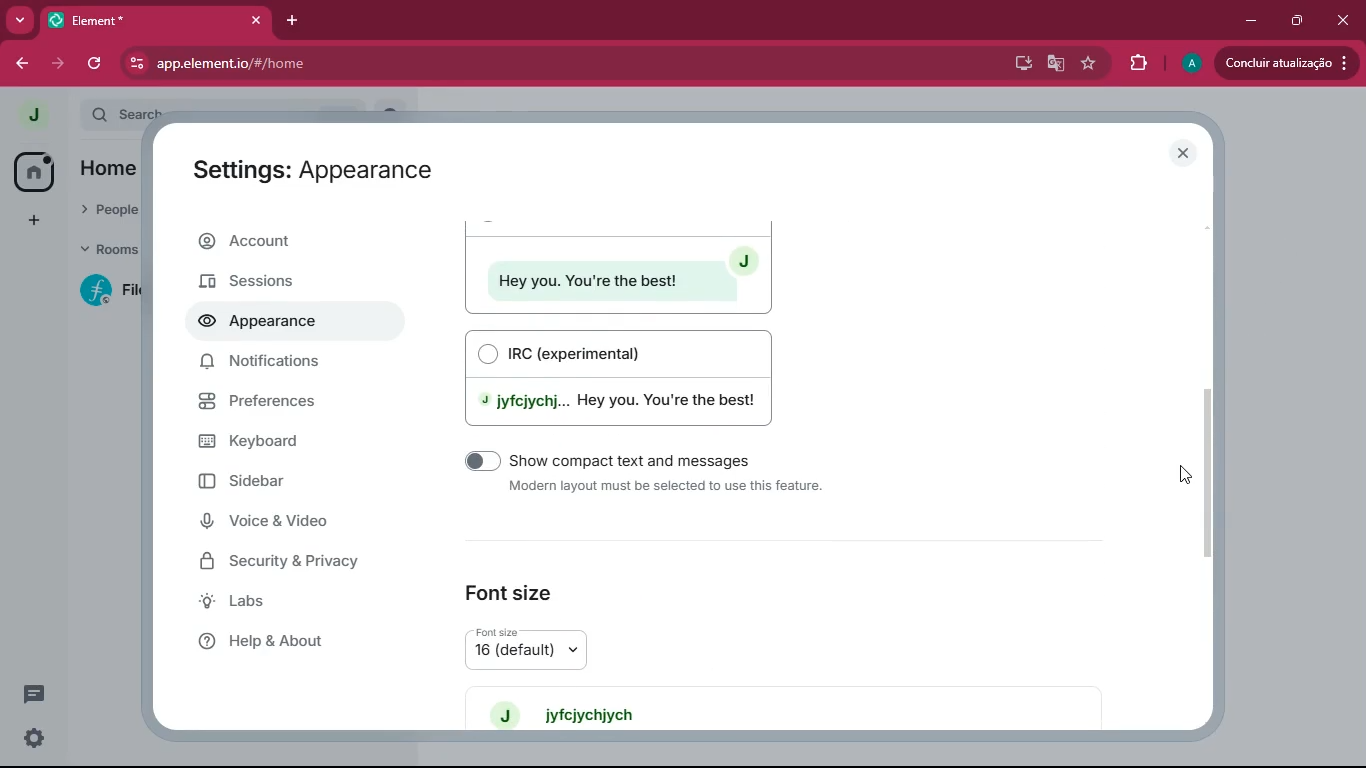 Image resolution: width=1366 pixels, height=768 pixels. Describe the element at coordinates (669, 488) in the screenshot. I see `‘Modern layout must be selected to use this feature.` at that location.